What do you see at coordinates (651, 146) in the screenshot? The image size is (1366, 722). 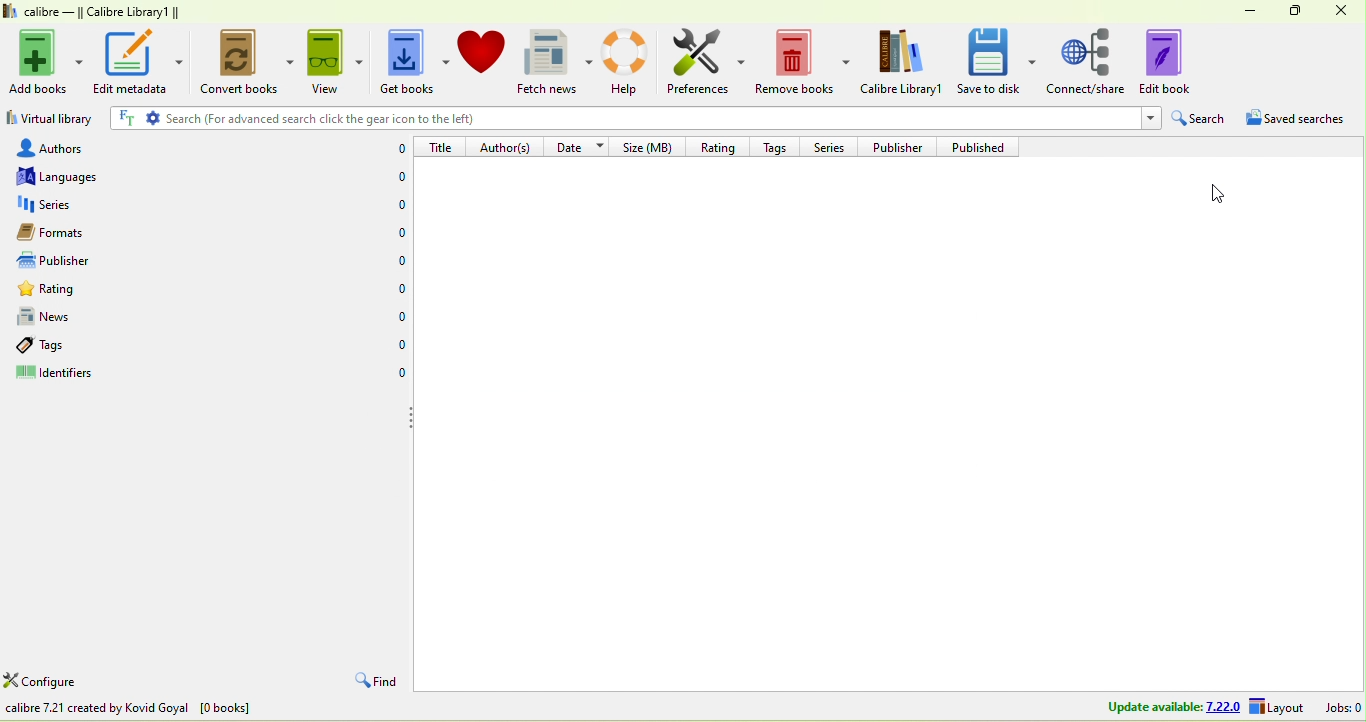 I see `size` at bounding box center [651, 146].